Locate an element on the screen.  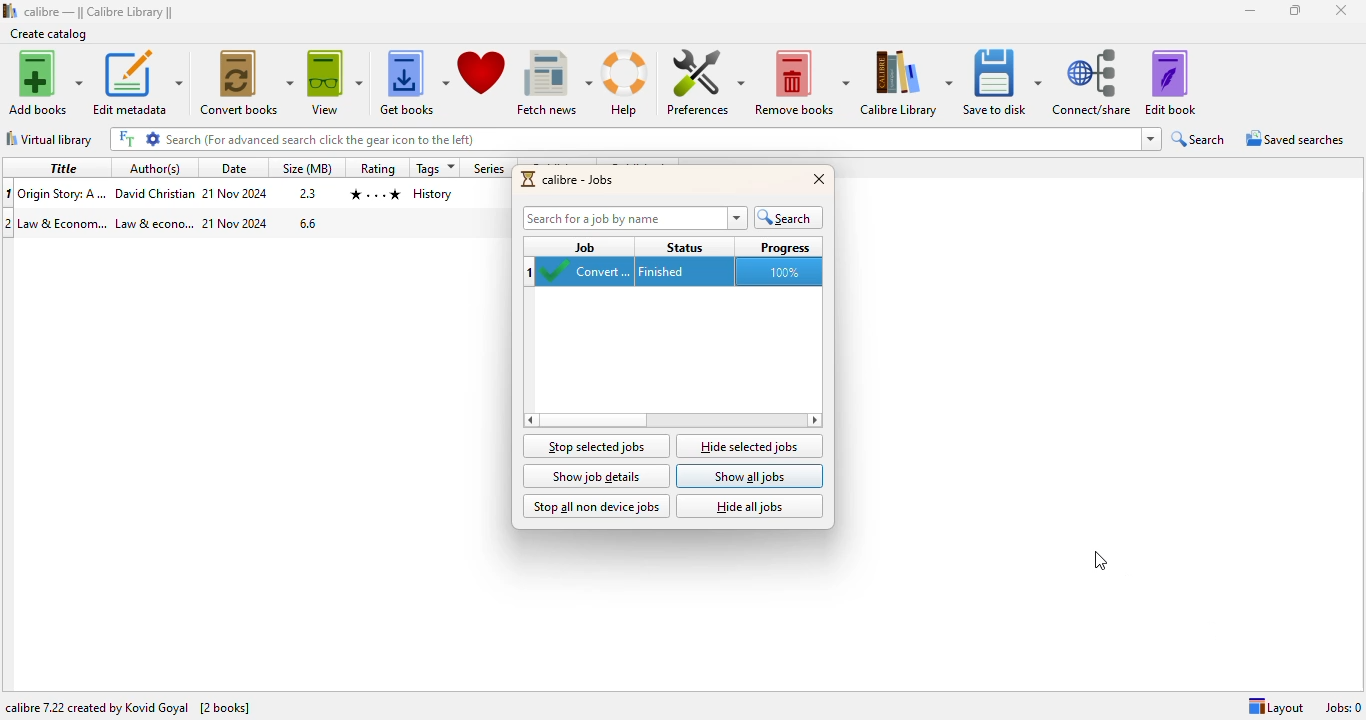
calibre library is located at coordinates (99, 12).